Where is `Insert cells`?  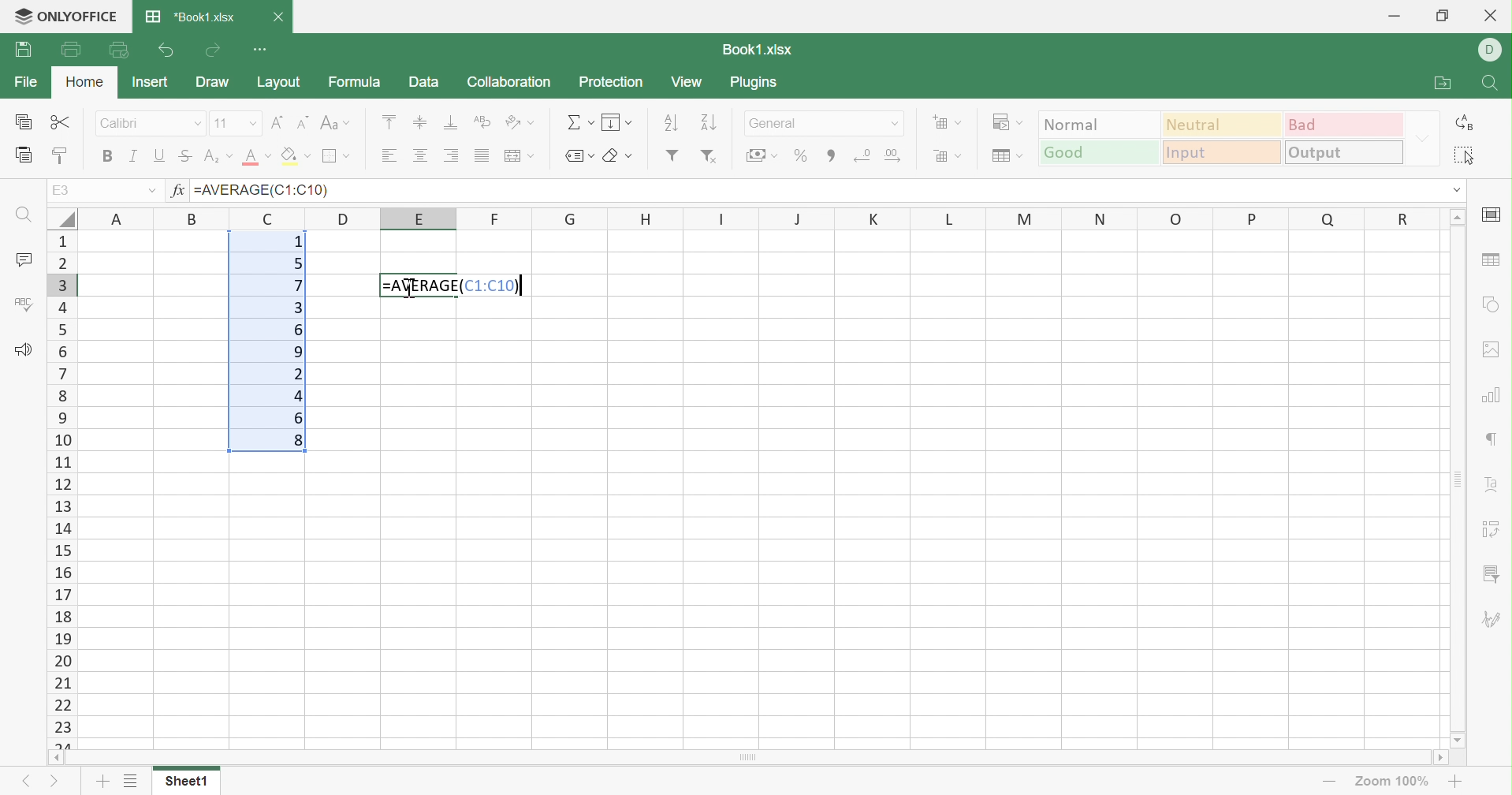 Insert cells is located at coordinates (948, 121).